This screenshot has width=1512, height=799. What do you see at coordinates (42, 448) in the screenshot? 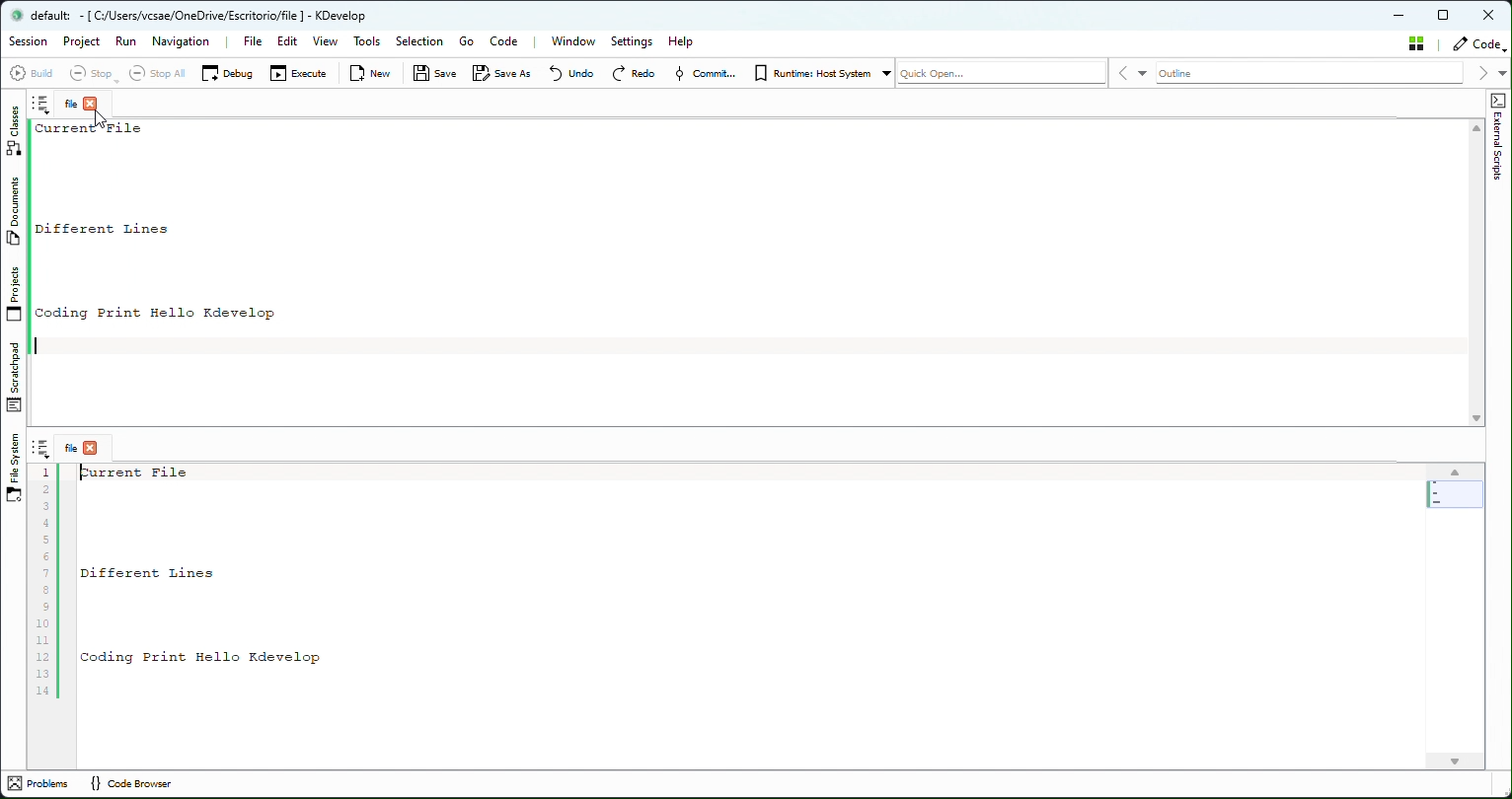
I see `Browse tabs` at bounding box center [42, 448].